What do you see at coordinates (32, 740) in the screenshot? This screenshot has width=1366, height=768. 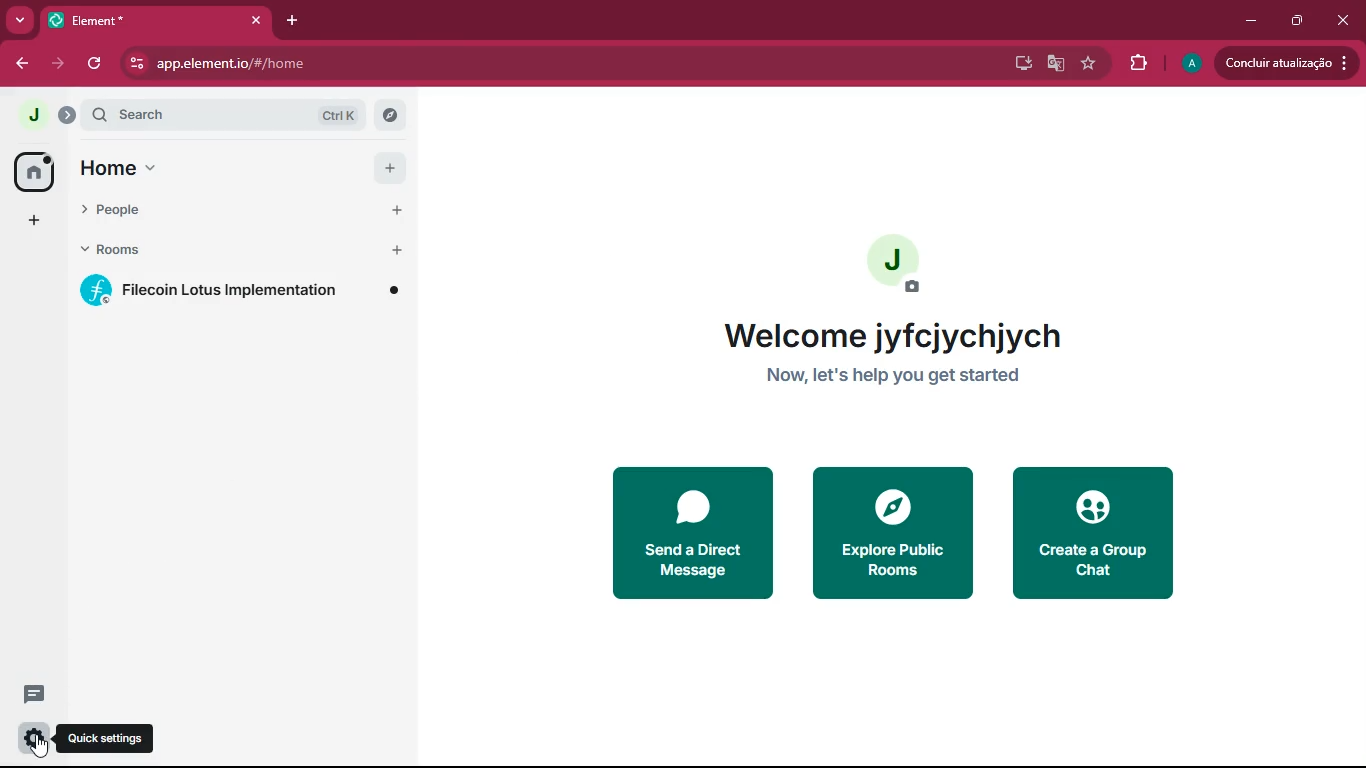 I see `quick settings` at bounding box center [32, 740].